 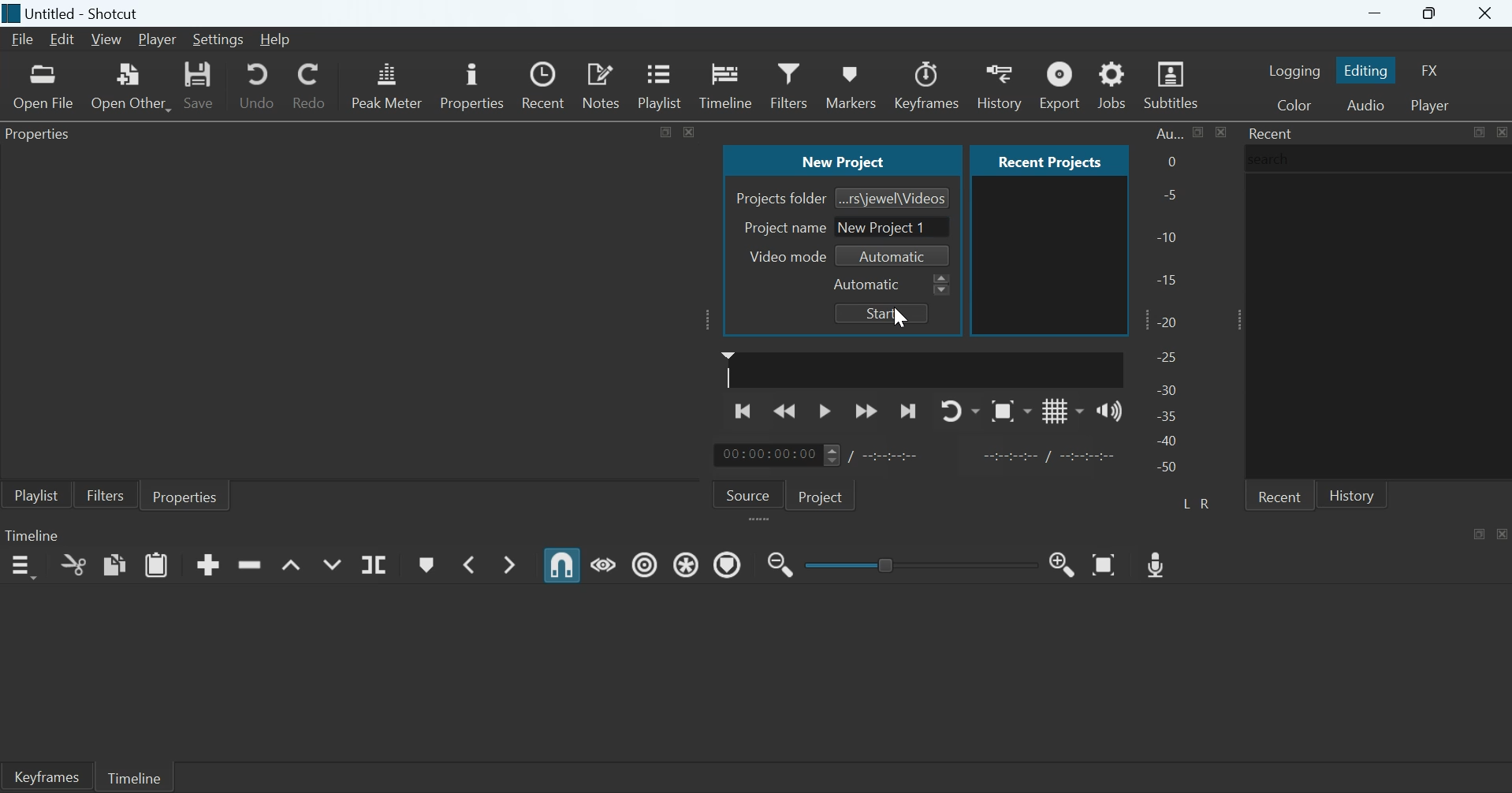 What do you see at coordinates (46, 776) in the screenshot?
I see `Keyframes` at bounding box center [46, 776].